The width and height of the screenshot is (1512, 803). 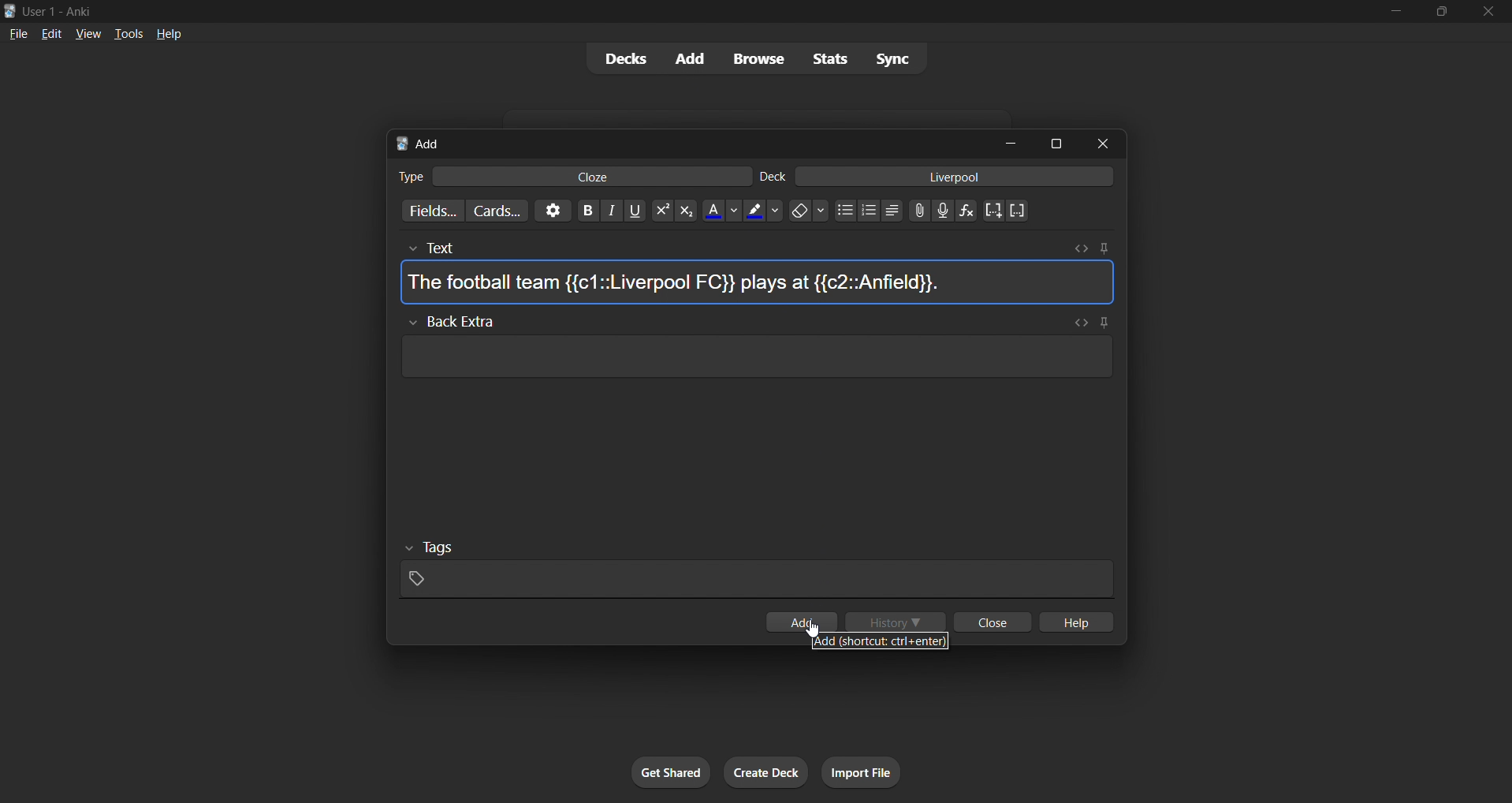 I want to click on view, so click(x=88, y=35).